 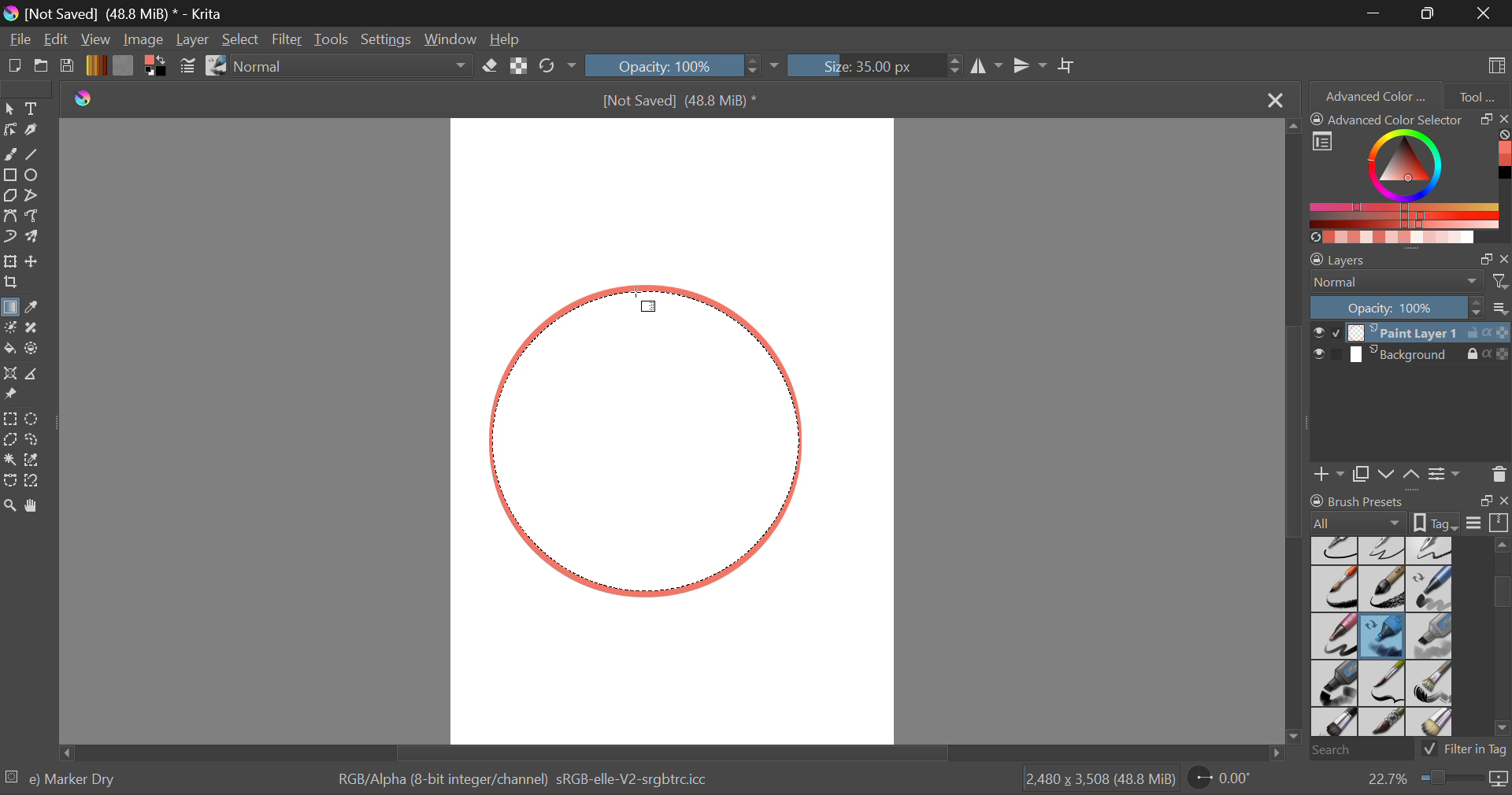 I want to click on MOUSE_DOWN Cursor Position, so click(x=641, y=303).